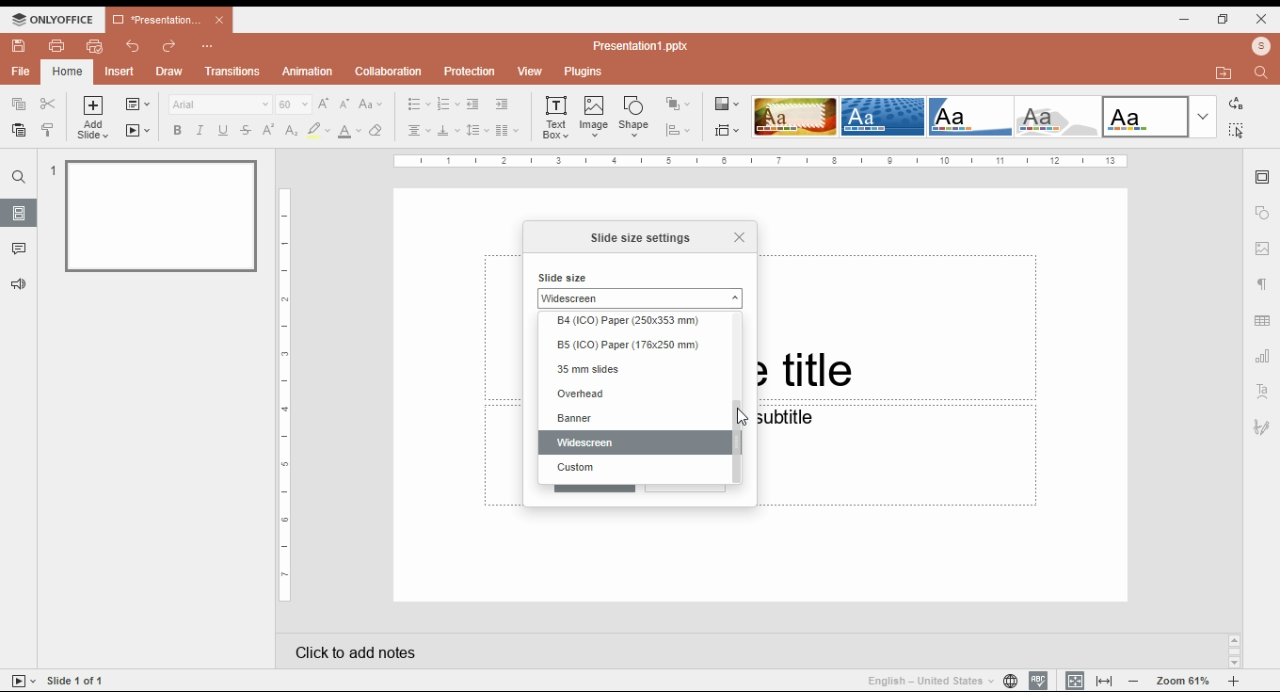 The width and height of the screenshot is (1280, 692). Describe the element at coordinates (137, 104) in the screenshot. I see `change slide layout` at that location.